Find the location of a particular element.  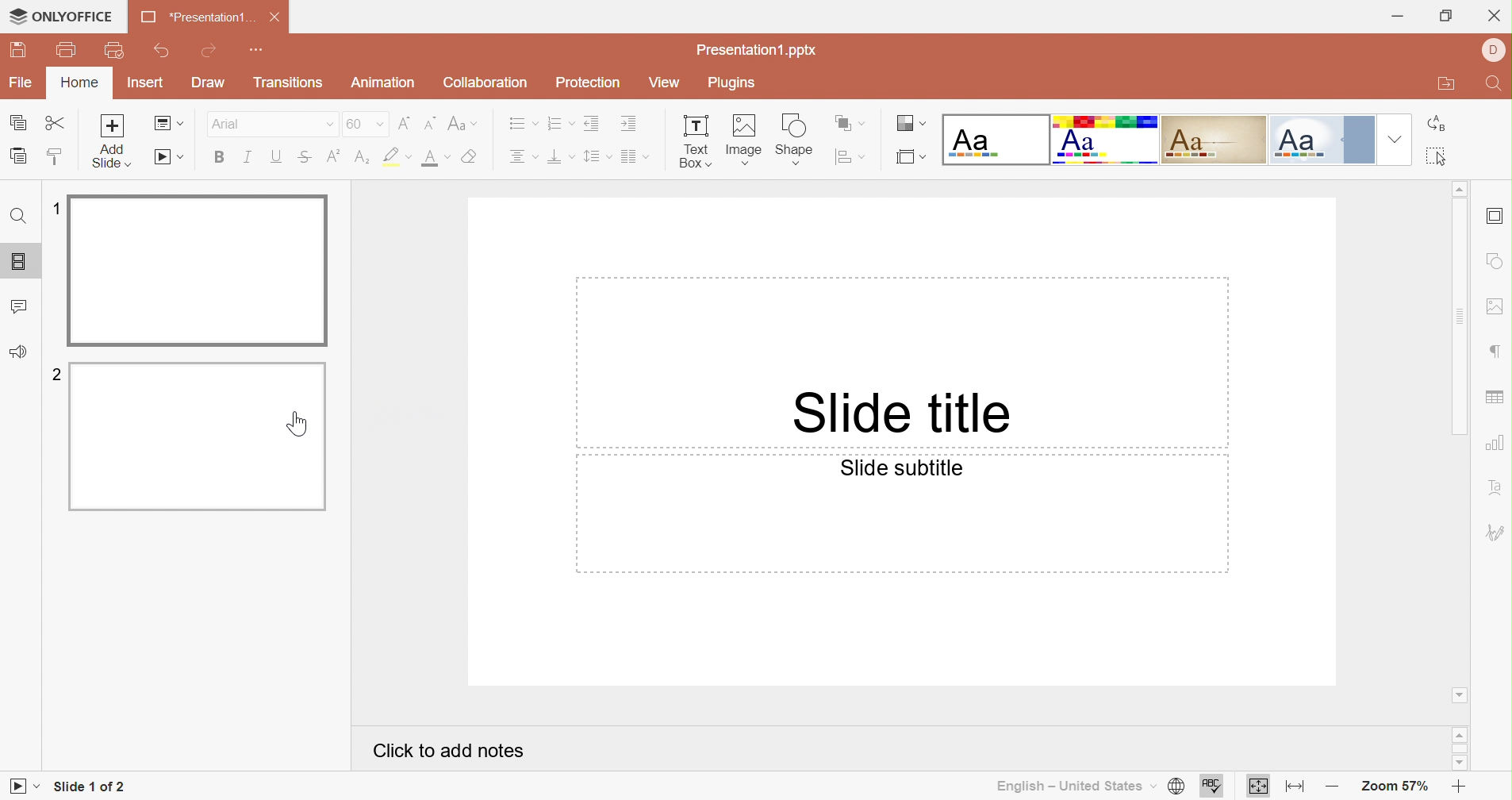

Change slide layout is located at coordinates (170, 124).